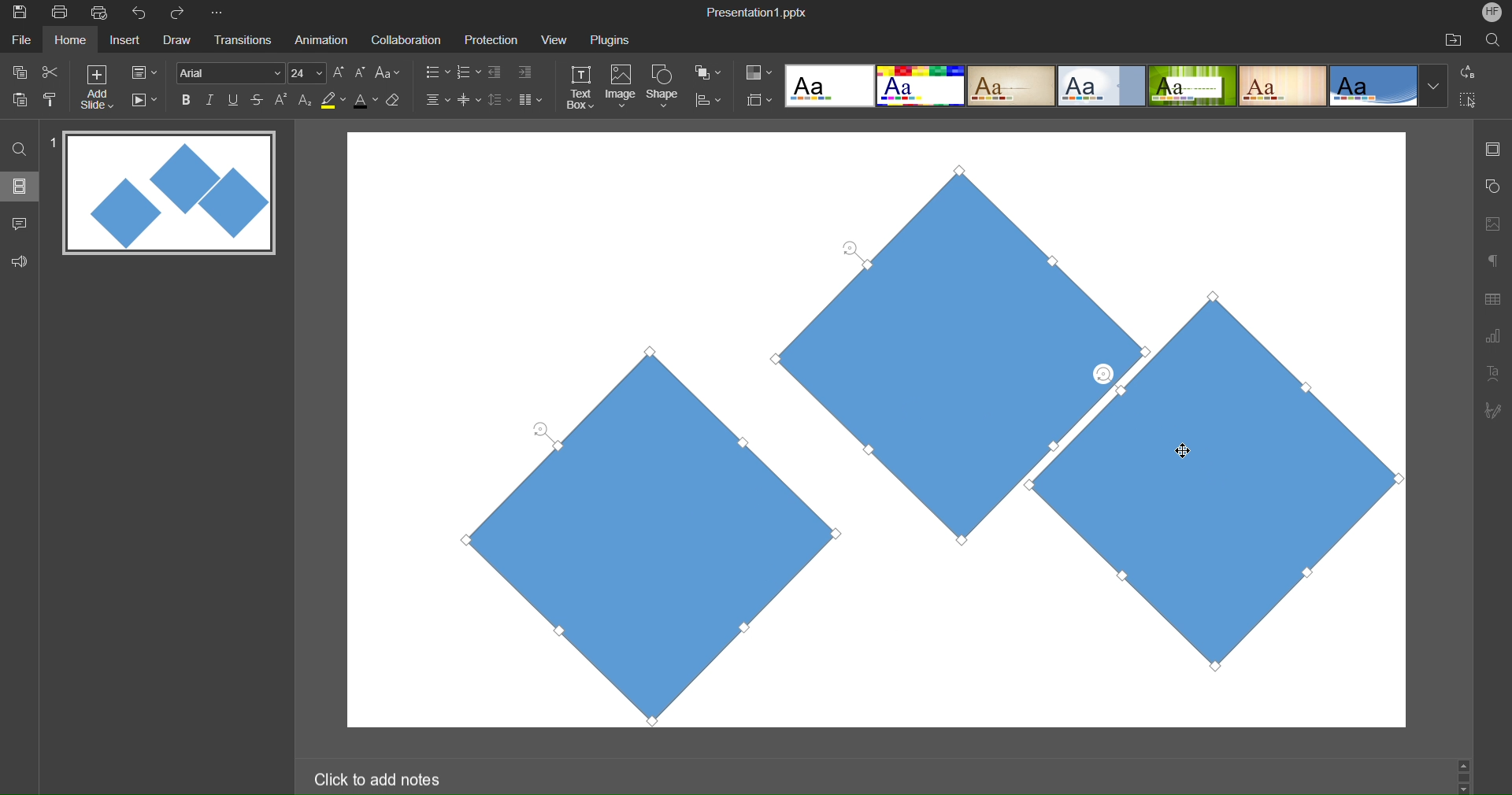 The image size is (1512, 795). I want to click on Font Size, so click(307, 73).